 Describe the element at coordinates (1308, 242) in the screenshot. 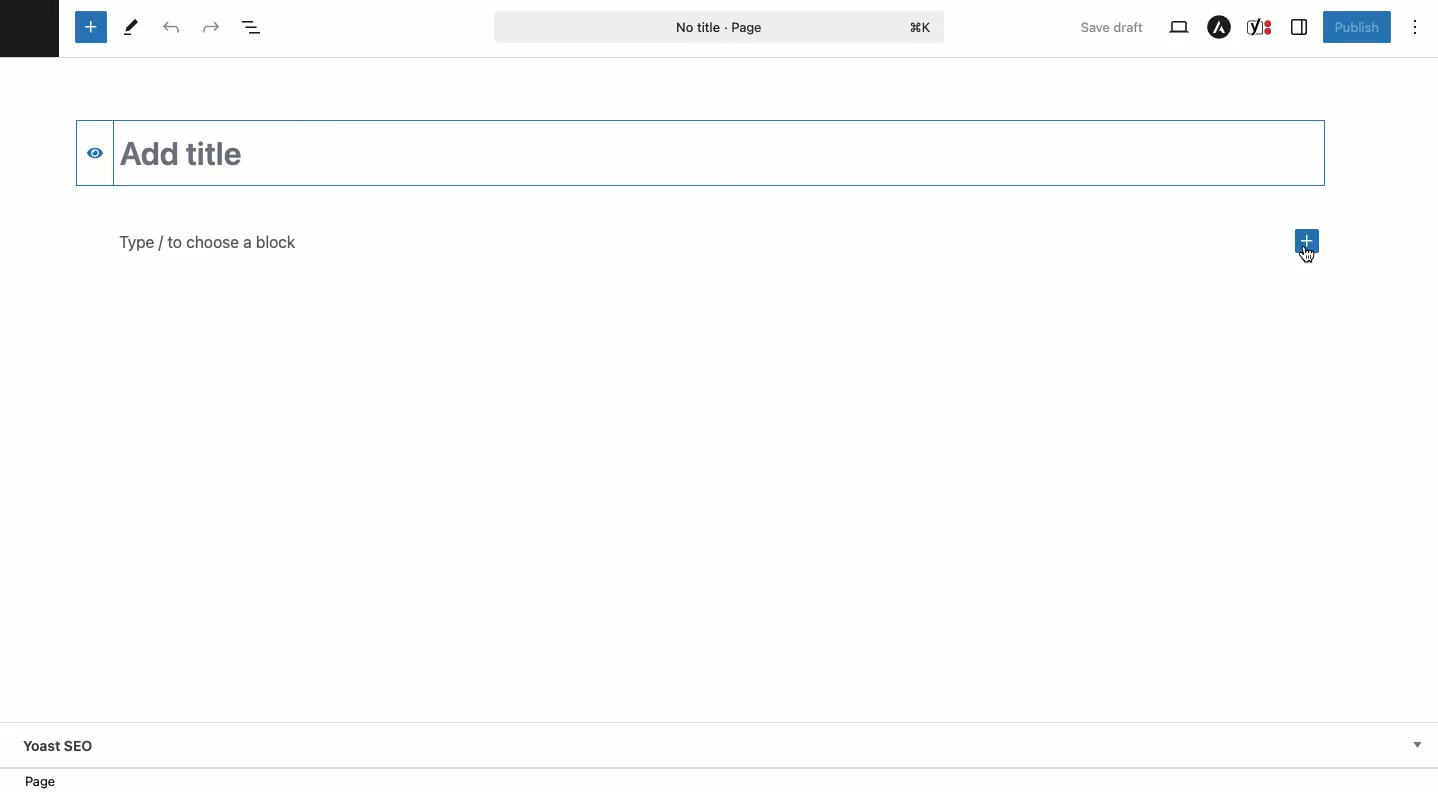

I see `Add block` at that location.